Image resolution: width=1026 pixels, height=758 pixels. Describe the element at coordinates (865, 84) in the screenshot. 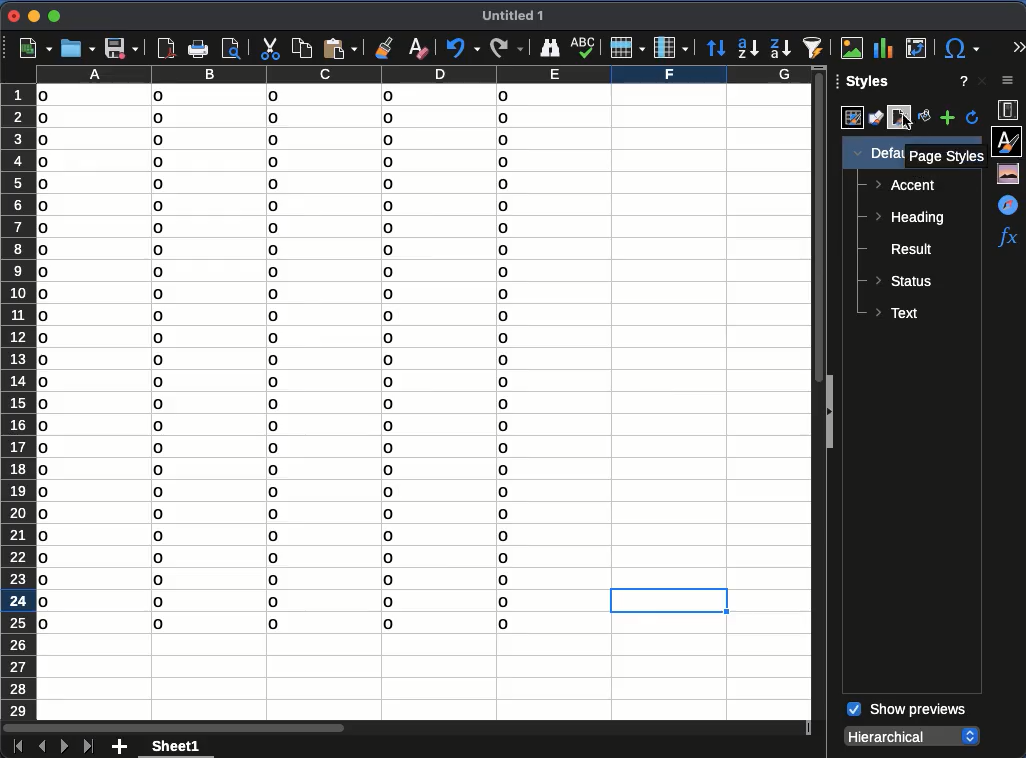

I see `styles` at that location.